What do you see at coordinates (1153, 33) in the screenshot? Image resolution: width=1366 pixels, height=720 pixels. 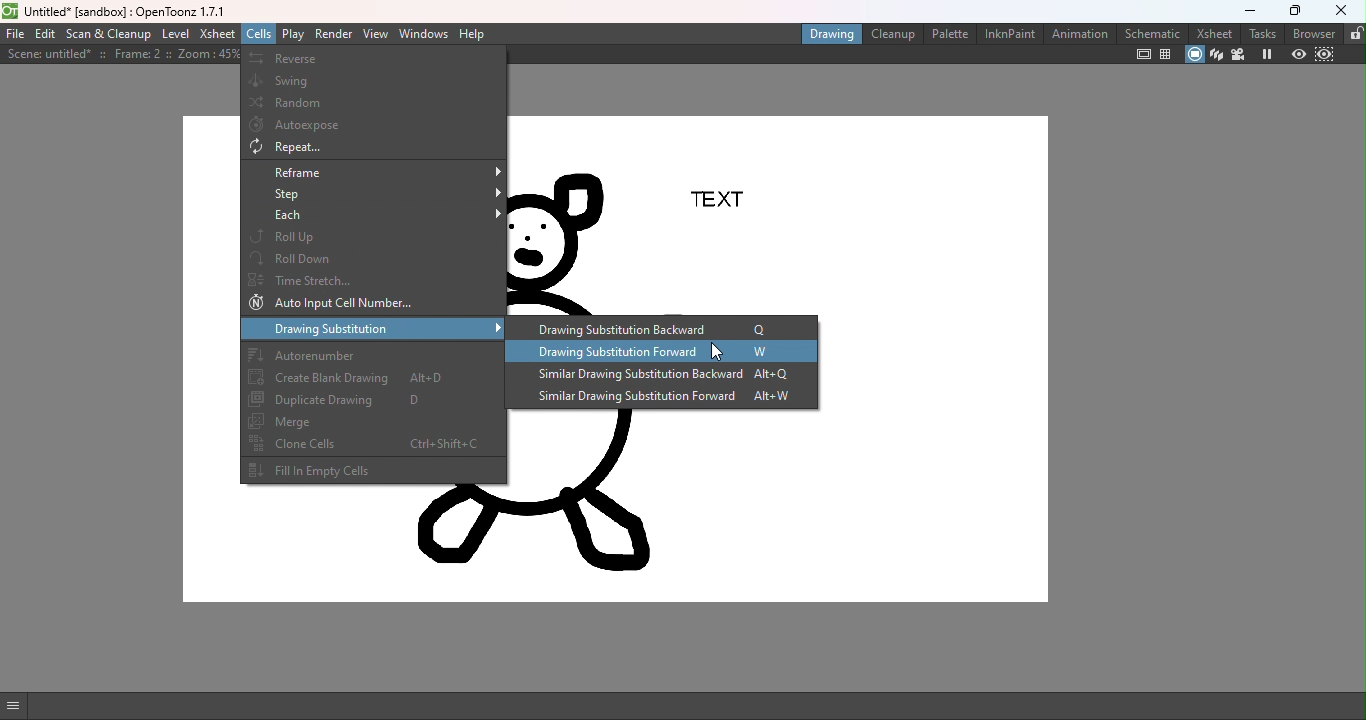 I see `Schematic` at bounding box center [1153, 33].